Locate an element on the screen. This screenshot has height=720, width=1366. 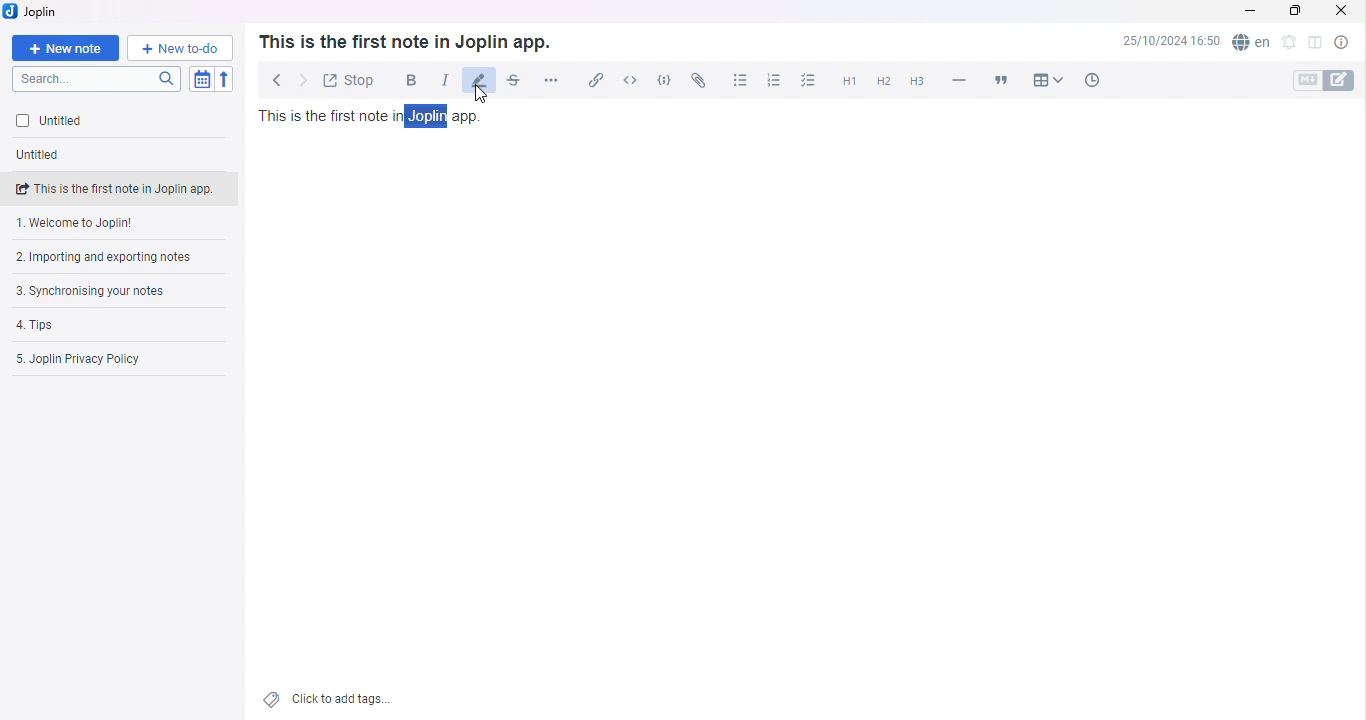
note is located at coordinates (125, 187).